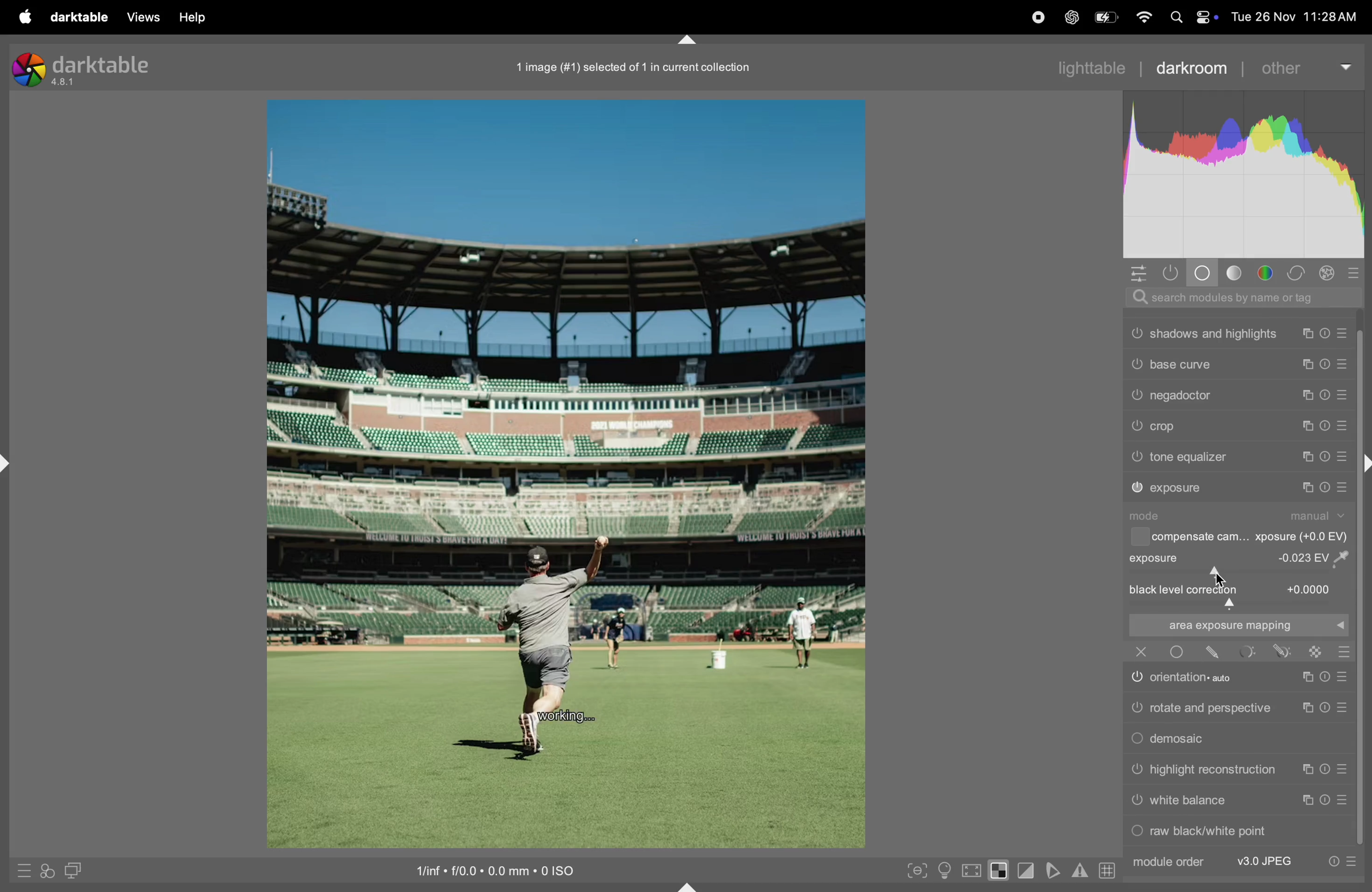  Describe the element at coordinates (689, 885) in the screenshot. I see `expand or collapse ` at that location.